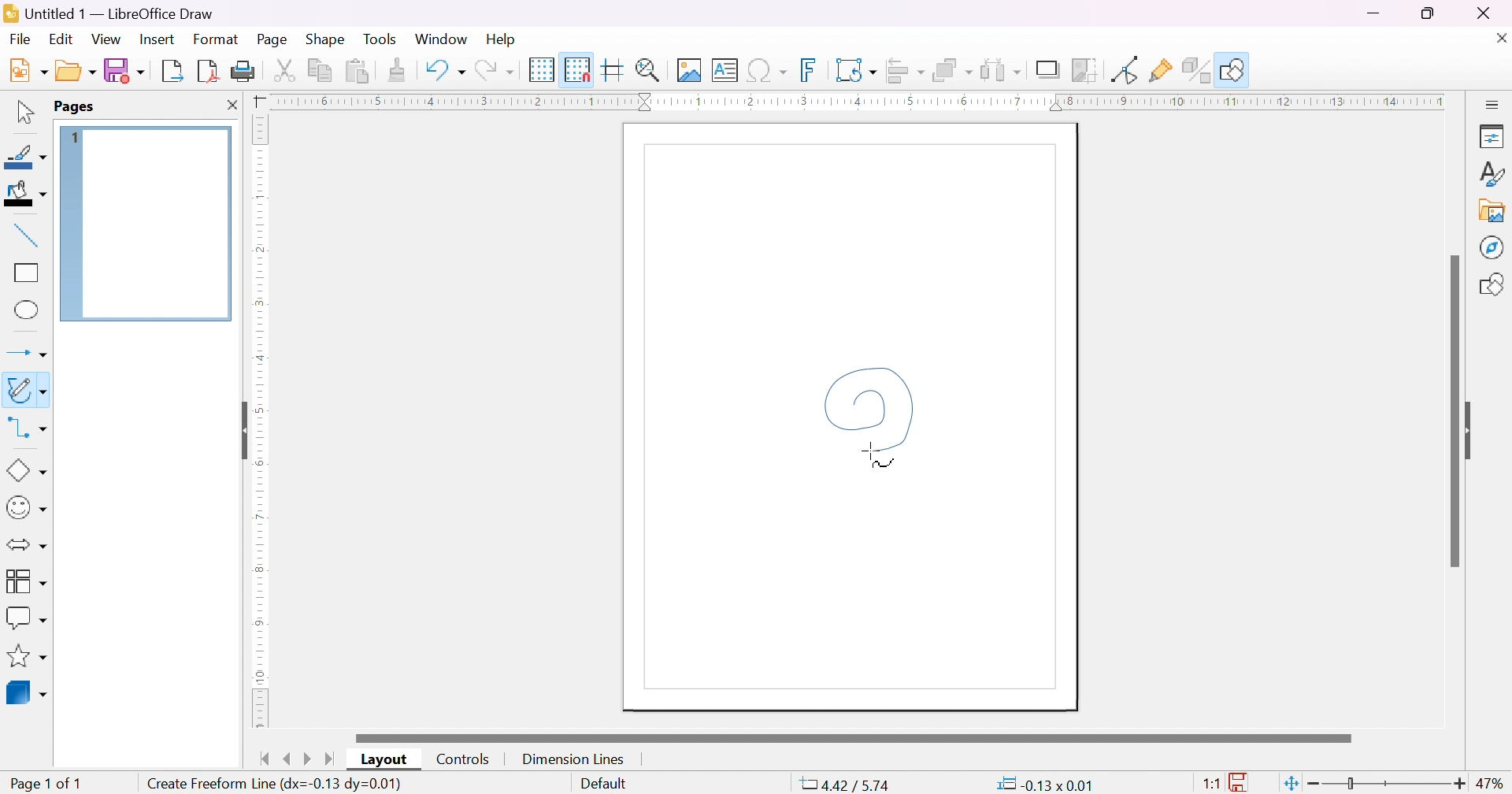 The width and height of the screenshot is (1512, 794). Describe the element at coordinates (112, 13) in the screenshot. I see `application name` at that location.